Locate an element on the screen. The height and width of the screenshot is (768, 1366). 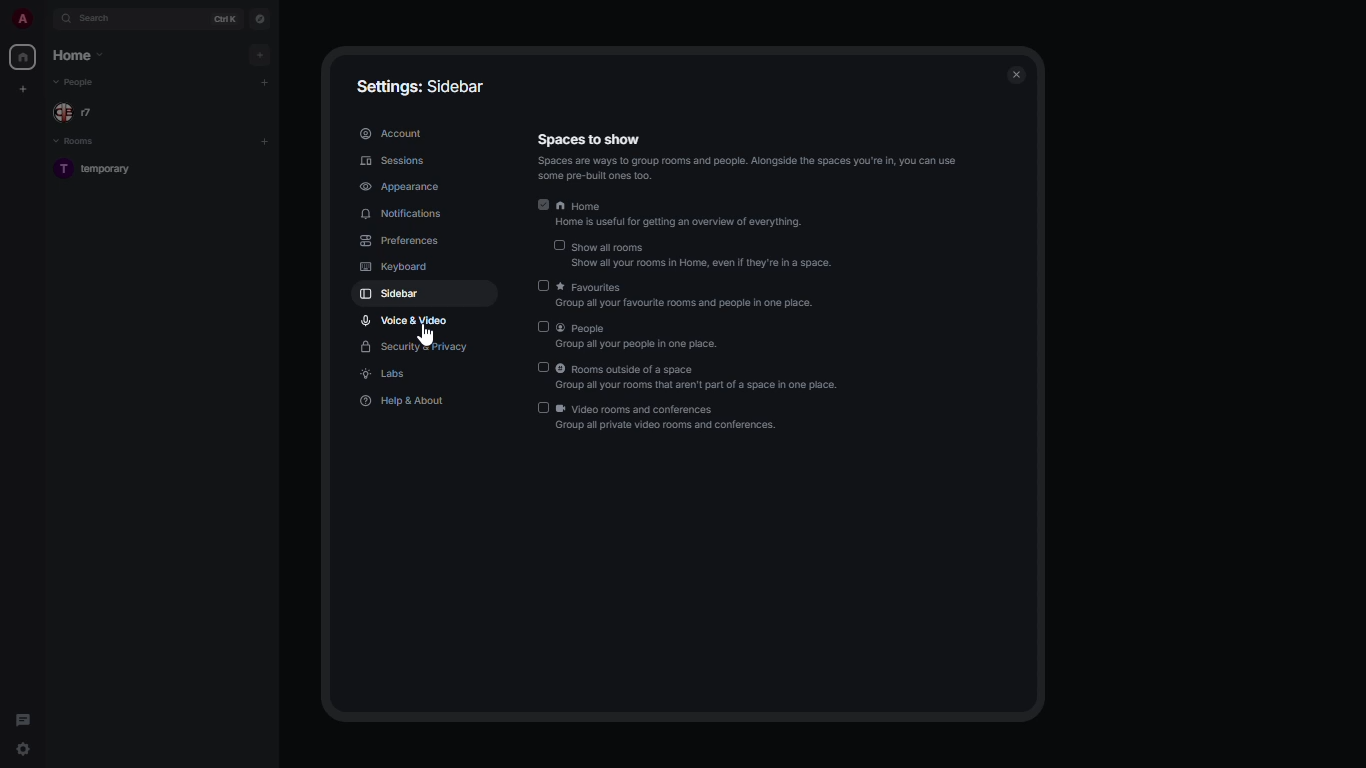
expand is located at coordinates (47, 19).